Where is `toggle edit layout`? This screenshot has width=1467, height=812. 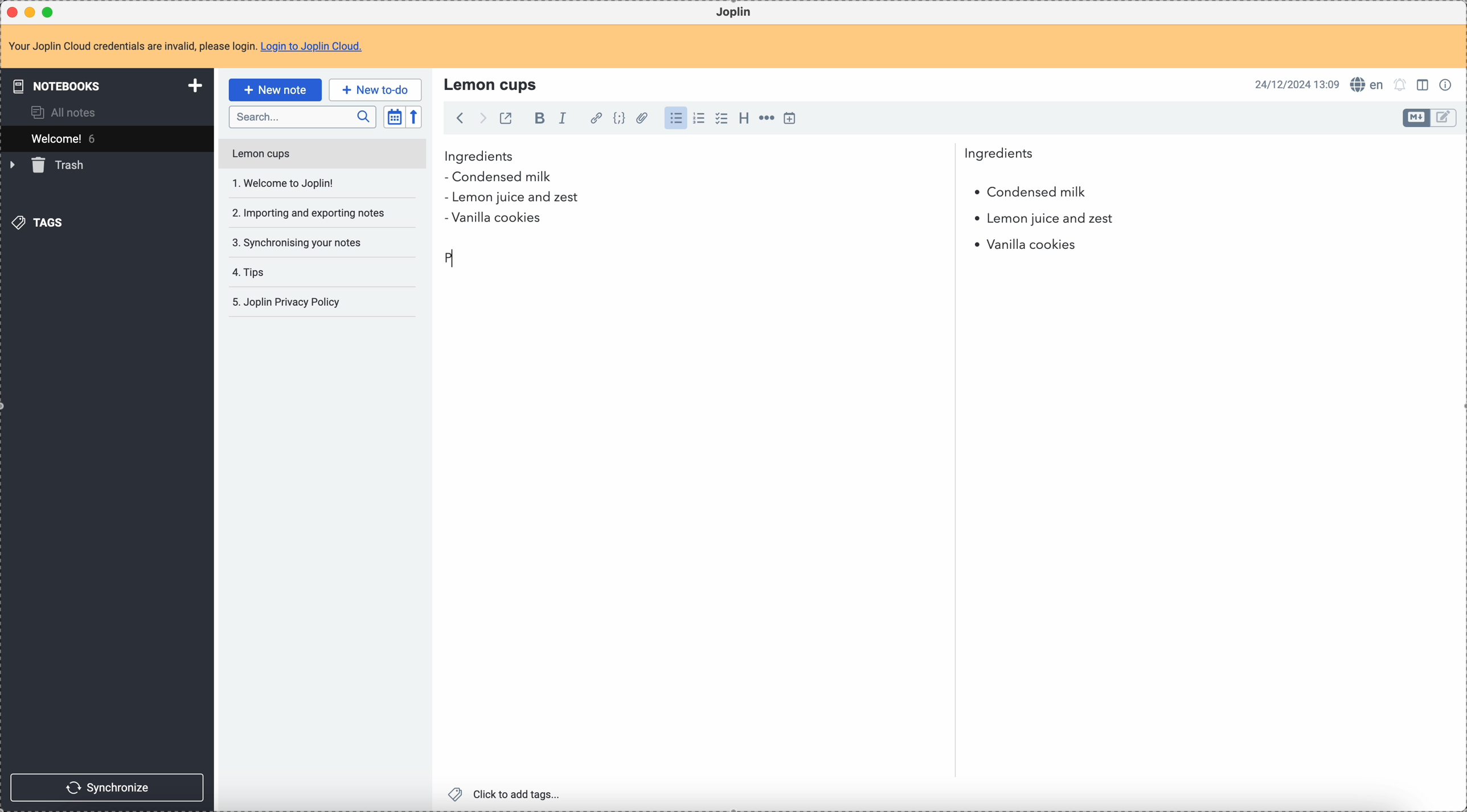 toggle edit layout is located at coordinates (1424, 84).